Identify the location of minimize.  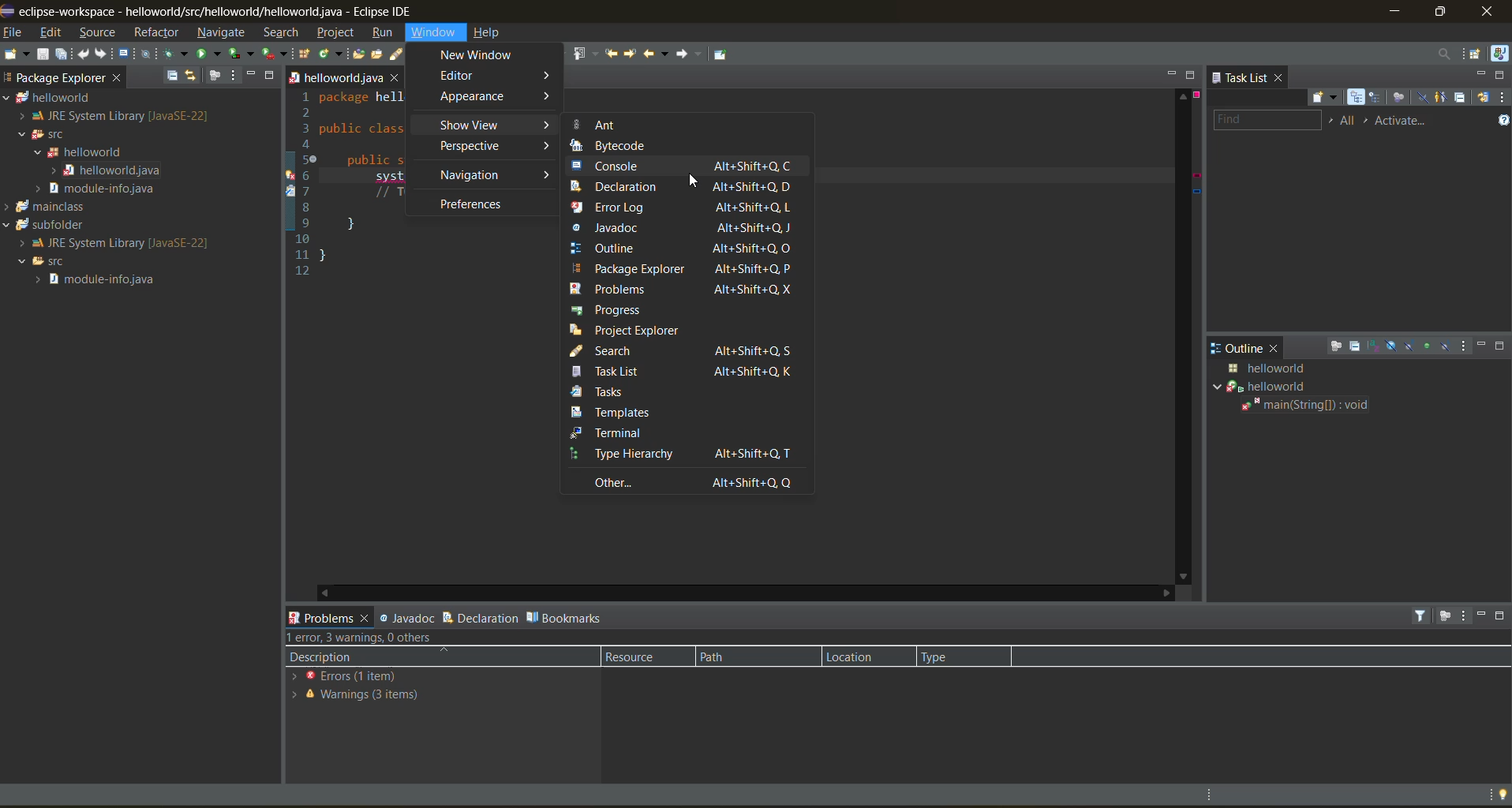
(1395, 12).